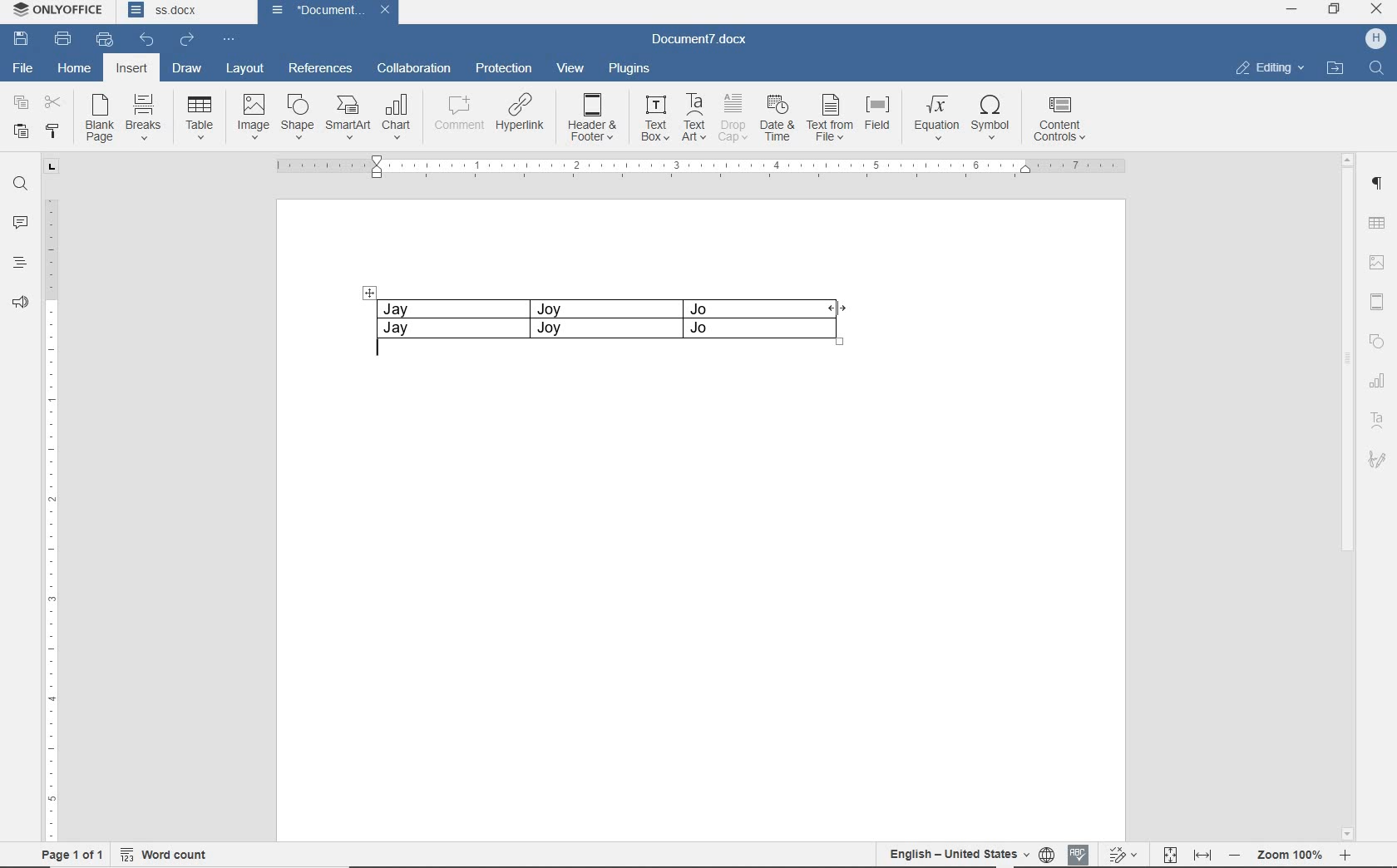 The height and width of the screenshot is (868, 1397). Describe the element at coordinates (105, 40) in the screenshot. I see `QUICK PRINT` at that location.